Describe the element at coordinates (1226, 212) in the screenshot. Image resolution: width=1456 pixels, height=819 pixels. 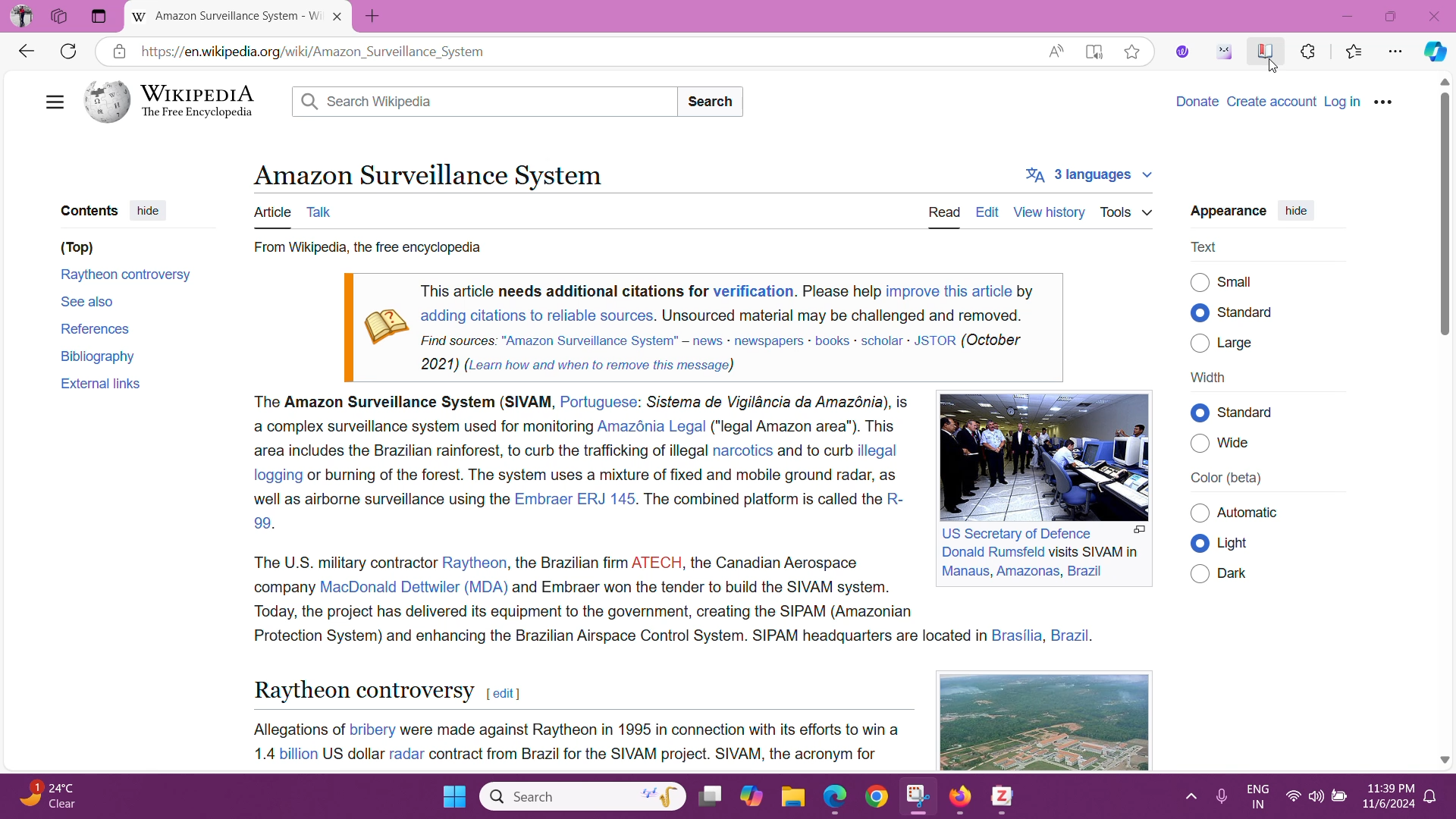
I see `Appearance` at that location.